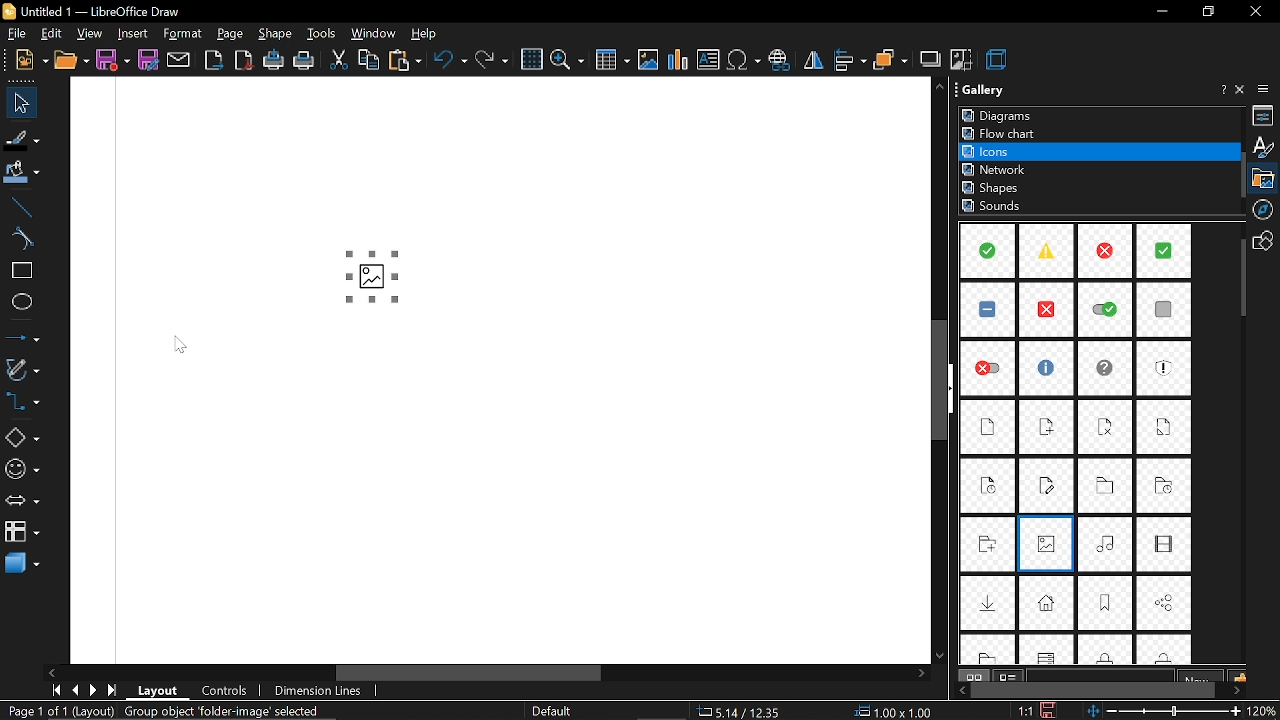  I want to click on crop, so click(962, 62).